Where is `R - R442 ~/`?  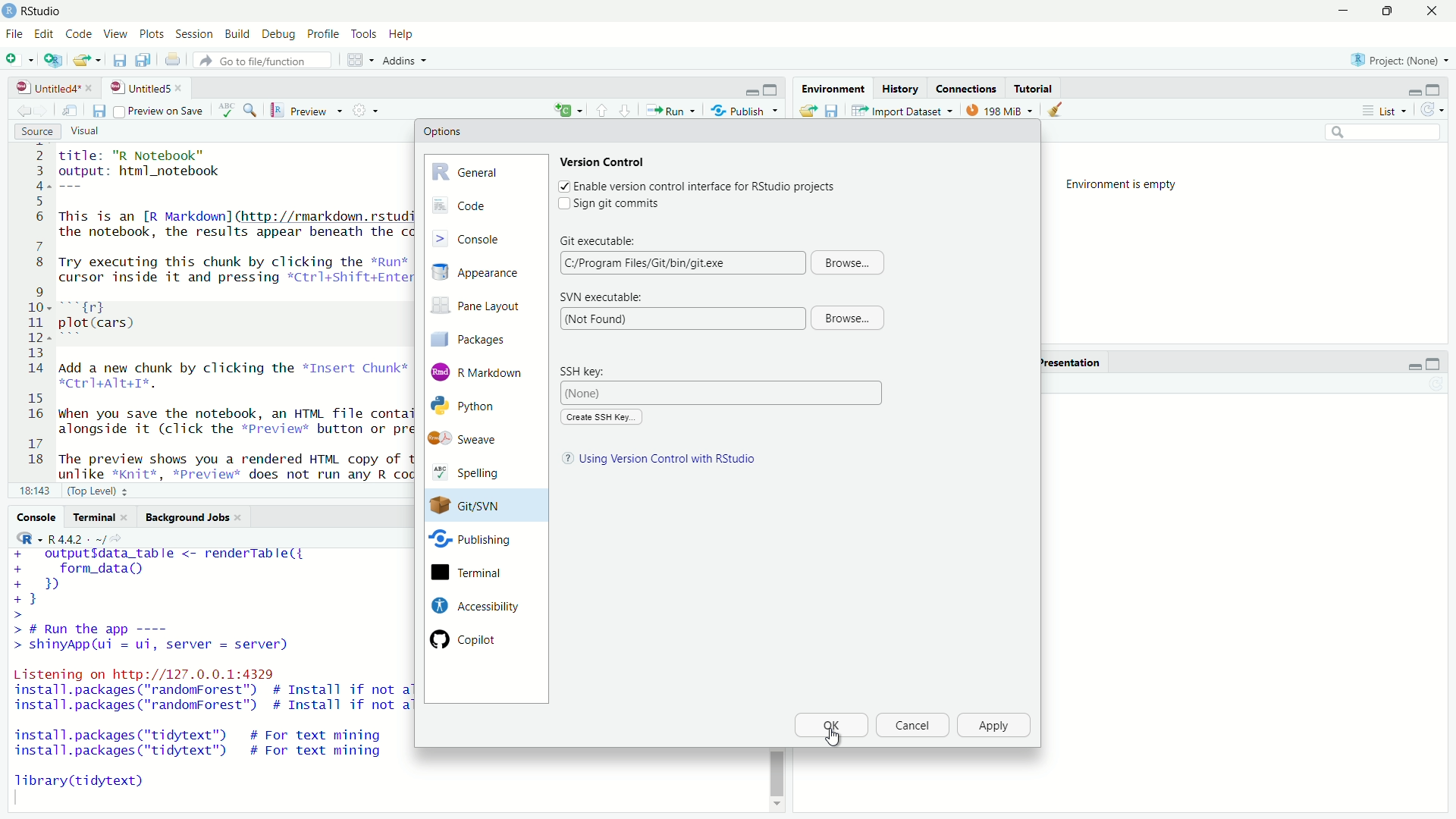
R - R442 ~/ is located at coordinates (59, 538).